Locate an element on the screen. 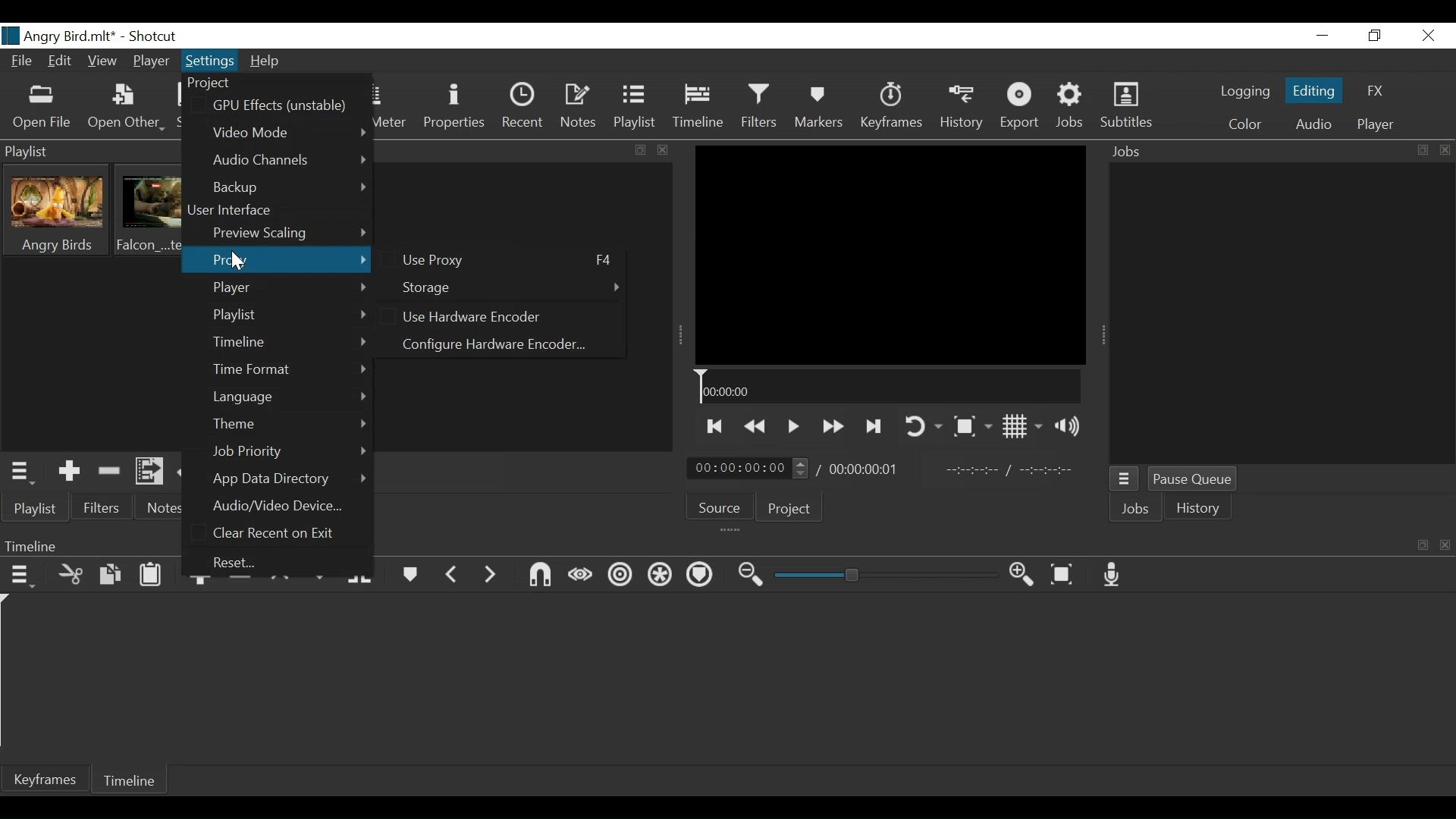  Player is located at coordinates (1375, 124).